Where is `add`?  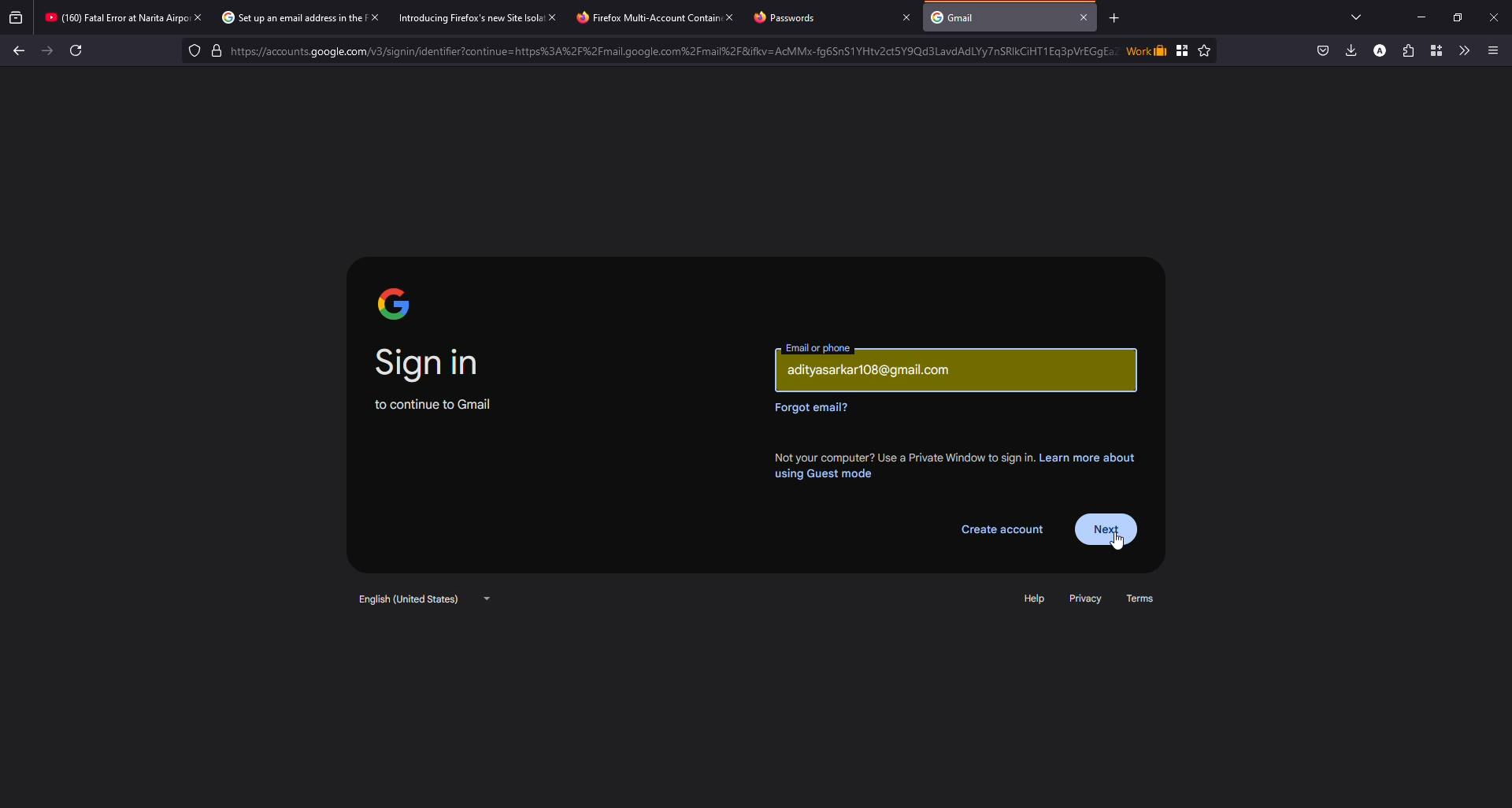
add is located at coordinates (1114, 18).